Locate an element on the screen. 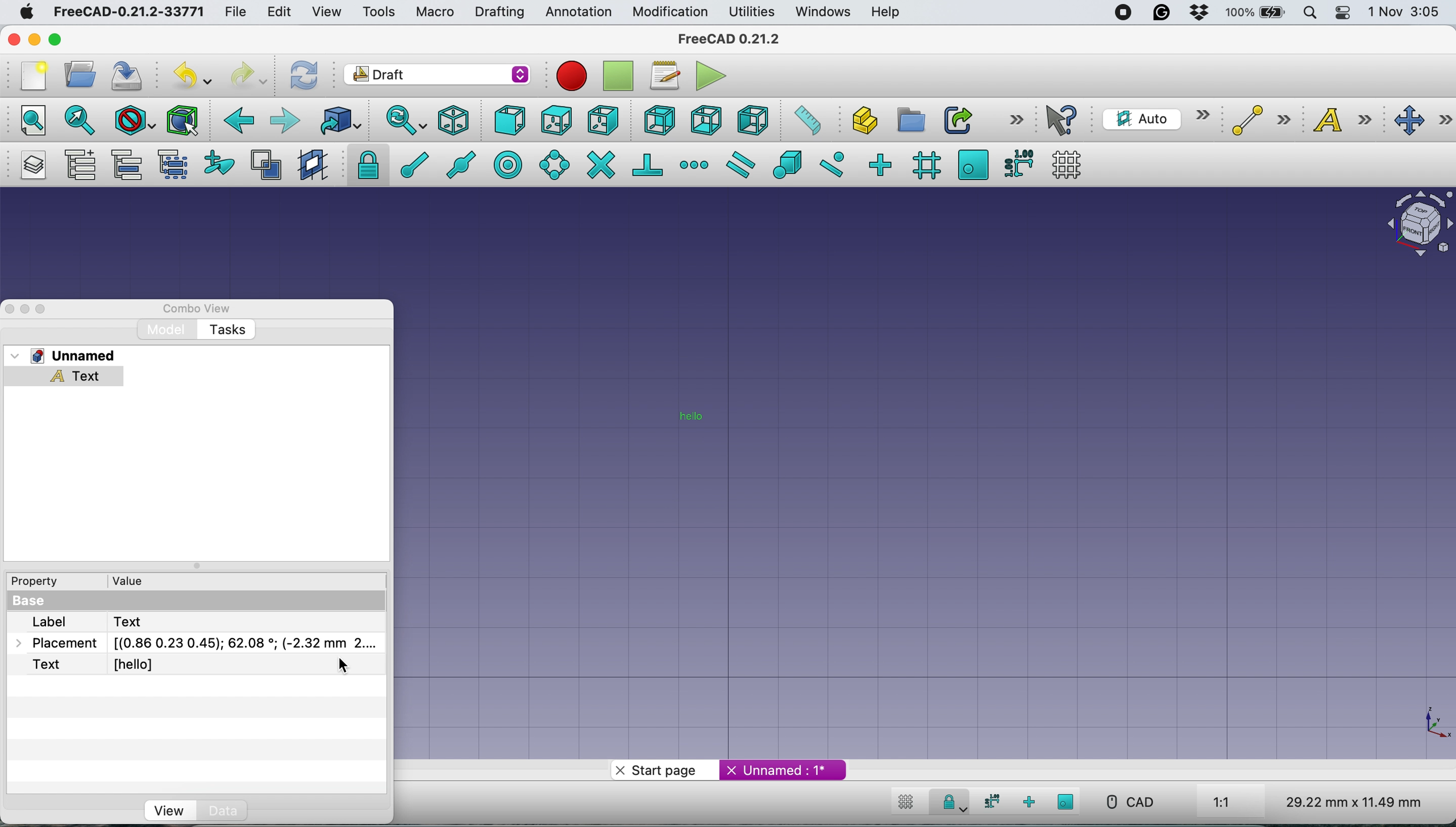 This screenshot has width=1456, height=827. left is located at coordinates (749, 119).